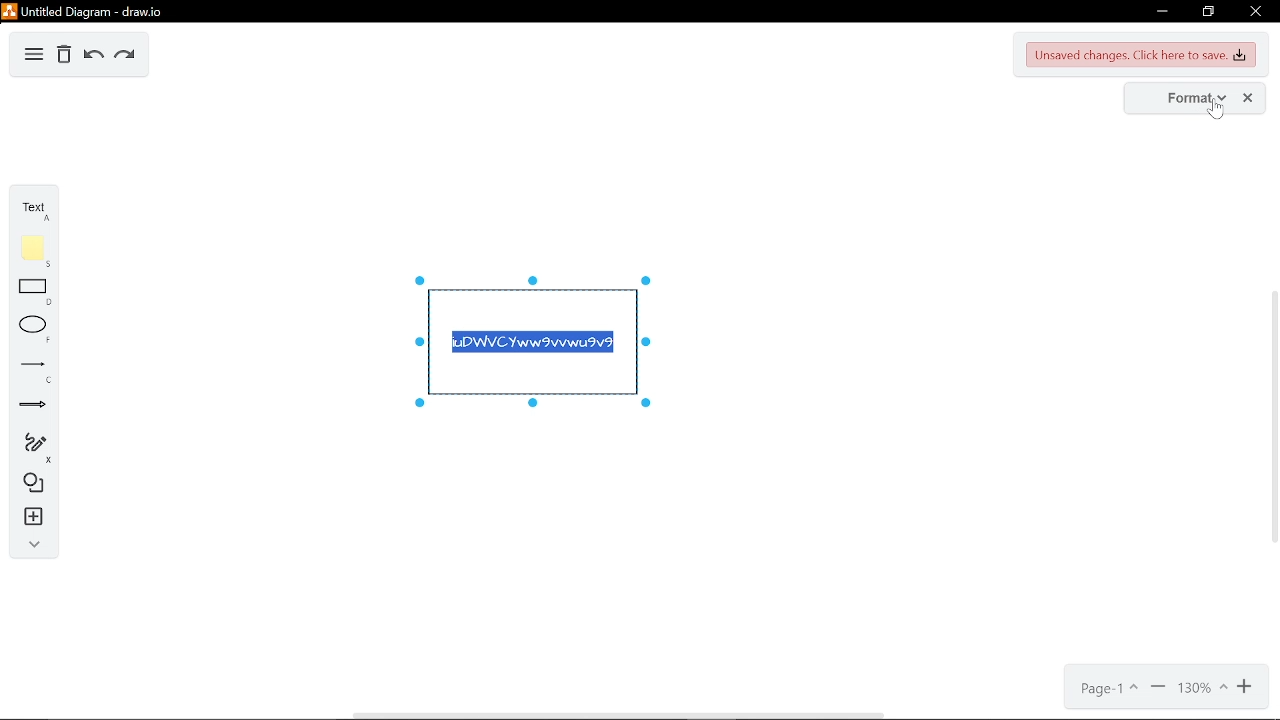 Image resolution: width=1280 pixels, height=720 pixels. Describe the element at coordinates (1107, 689) in the screenshot. I see `page1` at that location.